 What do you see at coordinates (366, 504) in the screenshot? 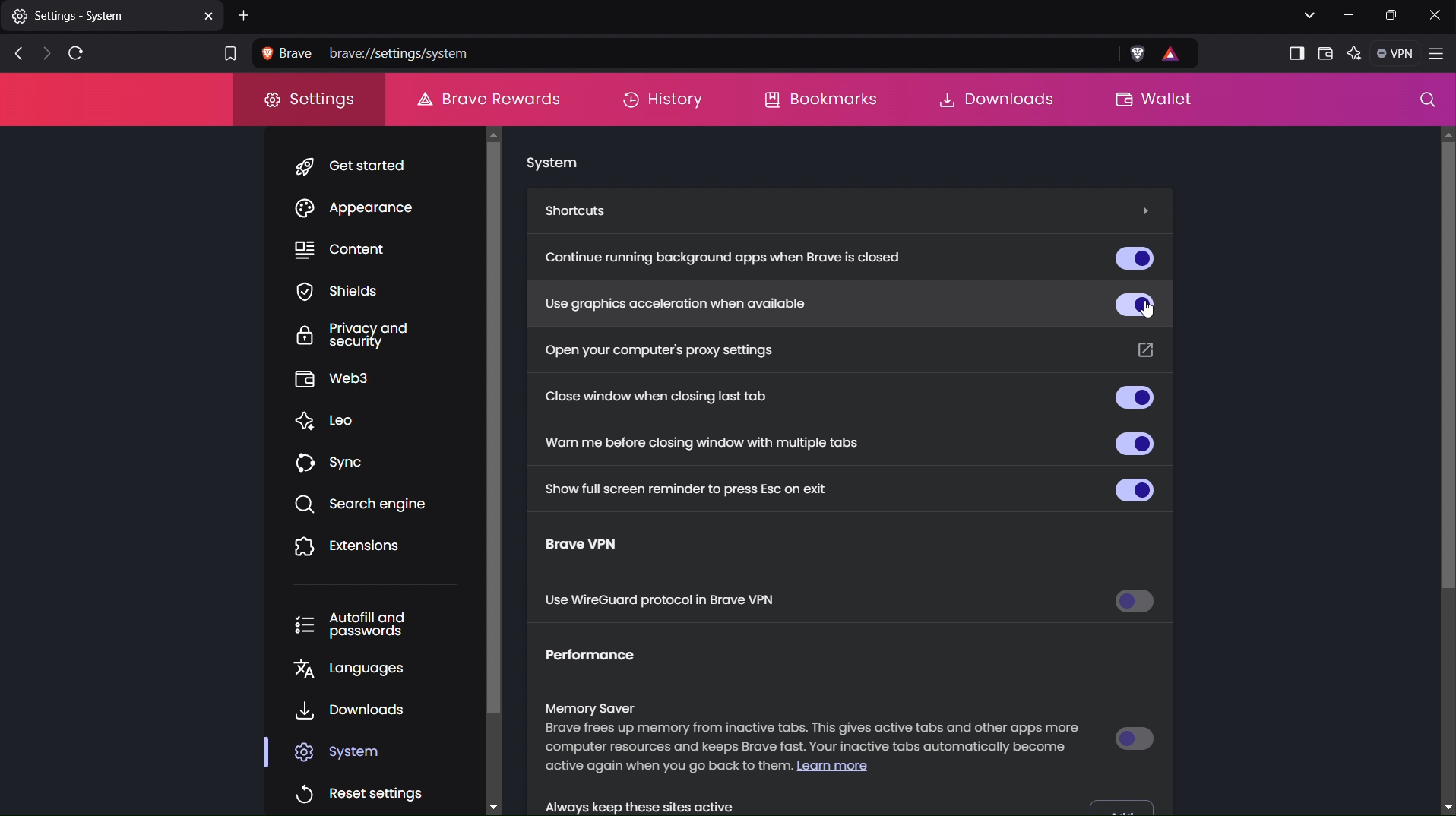
I see `Search engine` at bounding box center [366, 504].